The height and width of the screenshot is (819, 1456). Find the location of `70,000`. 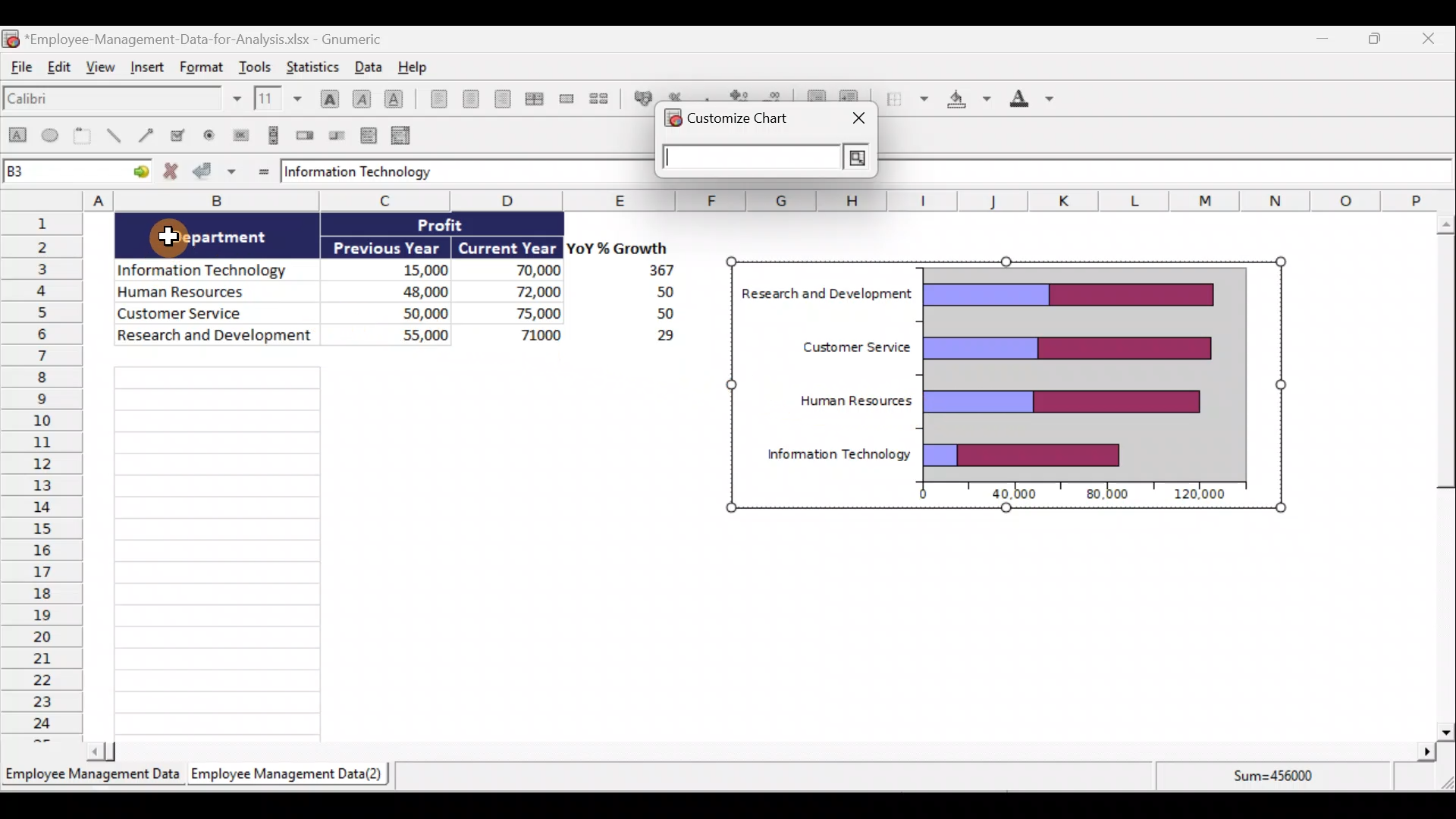

70,000 is located at coordinates (522, 271).